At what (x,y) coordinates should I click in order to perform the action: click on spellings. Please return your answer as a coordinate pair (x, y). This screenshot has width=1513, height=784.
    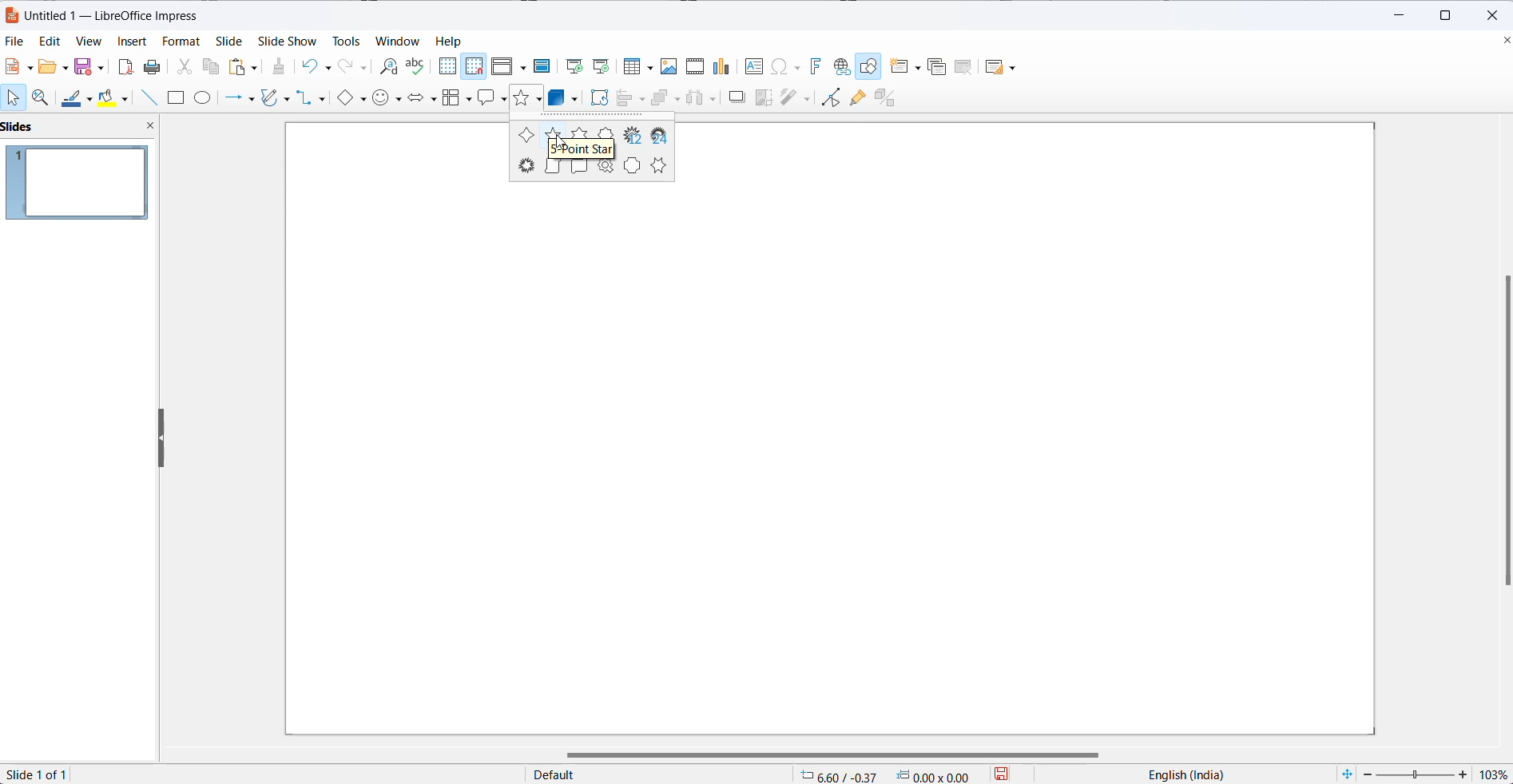
    Looking at the image, I should click on (417, 66).